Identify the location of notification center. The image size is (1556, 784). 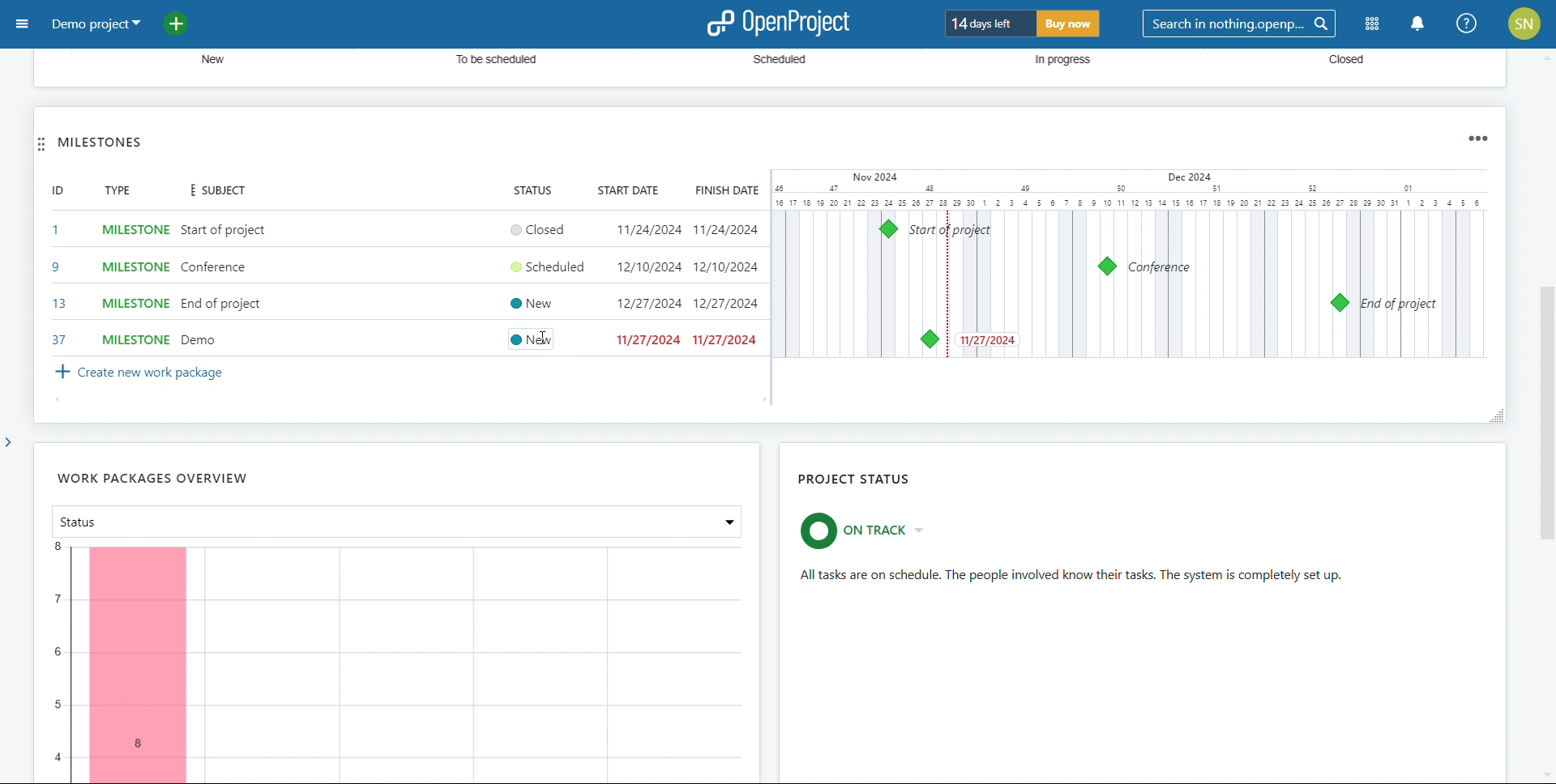
(1416, 24).